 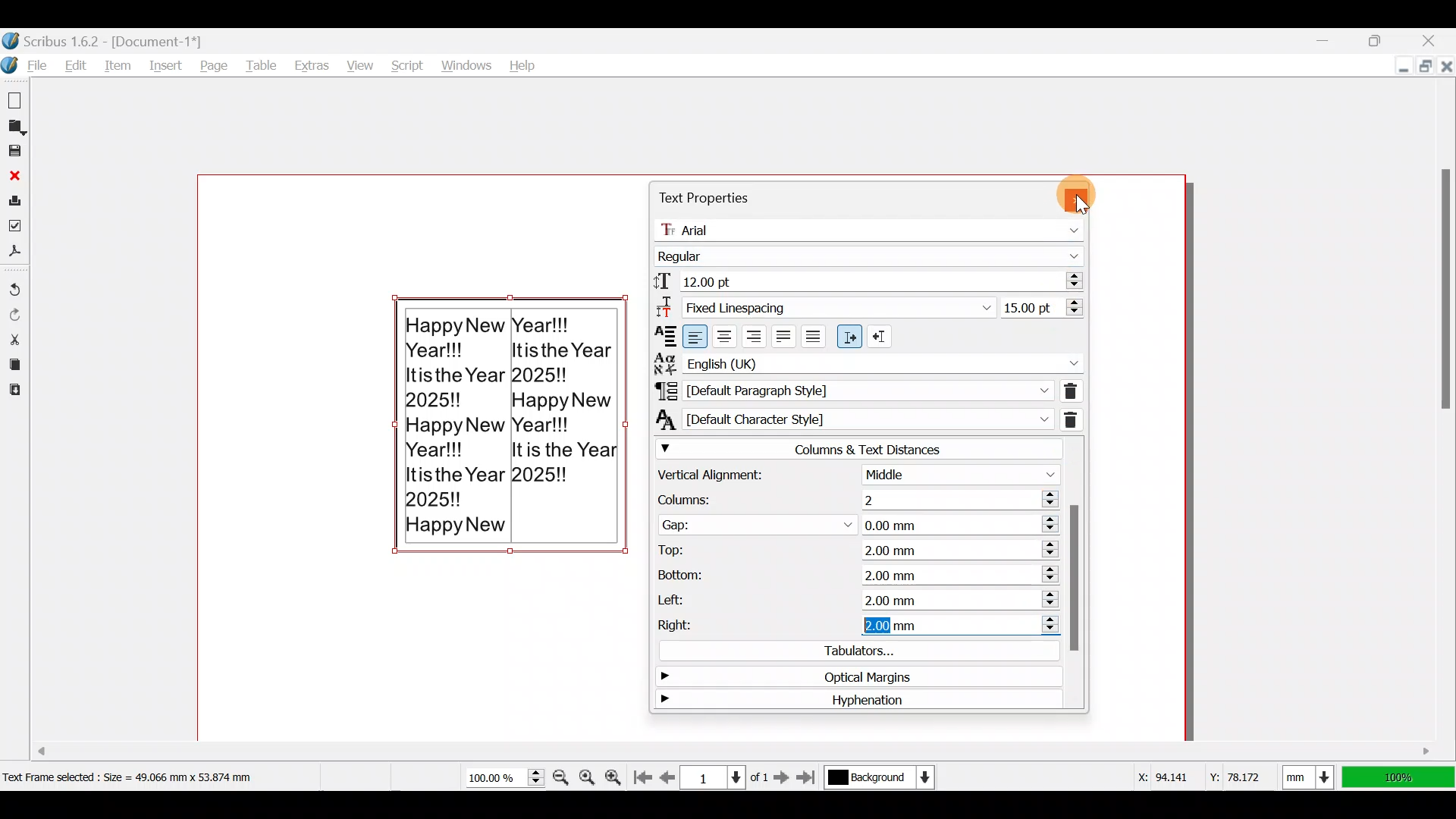 I want to click on Edit, so click(x=77, y=65).